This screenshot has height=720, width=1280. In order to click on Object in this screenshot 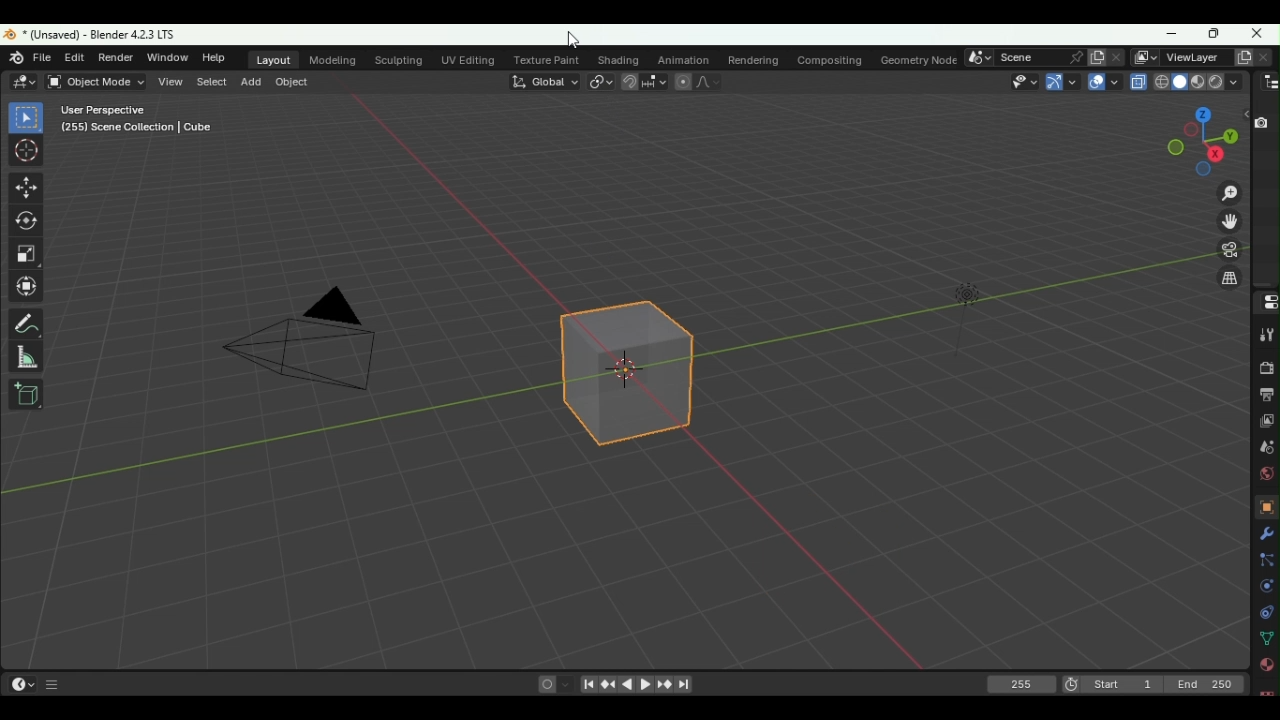, I will do `click(291, 82)`.